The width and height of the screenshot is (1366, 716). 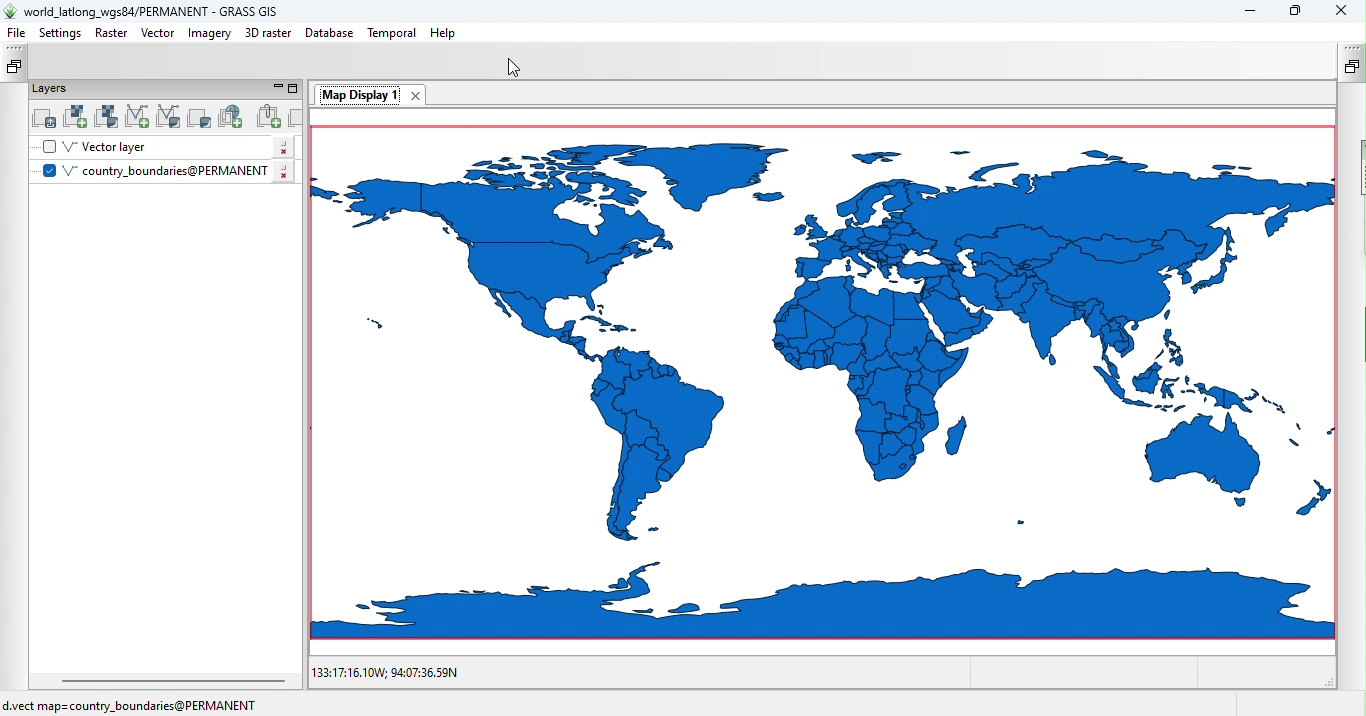 I want to click on File, so click(x=17, y=32).